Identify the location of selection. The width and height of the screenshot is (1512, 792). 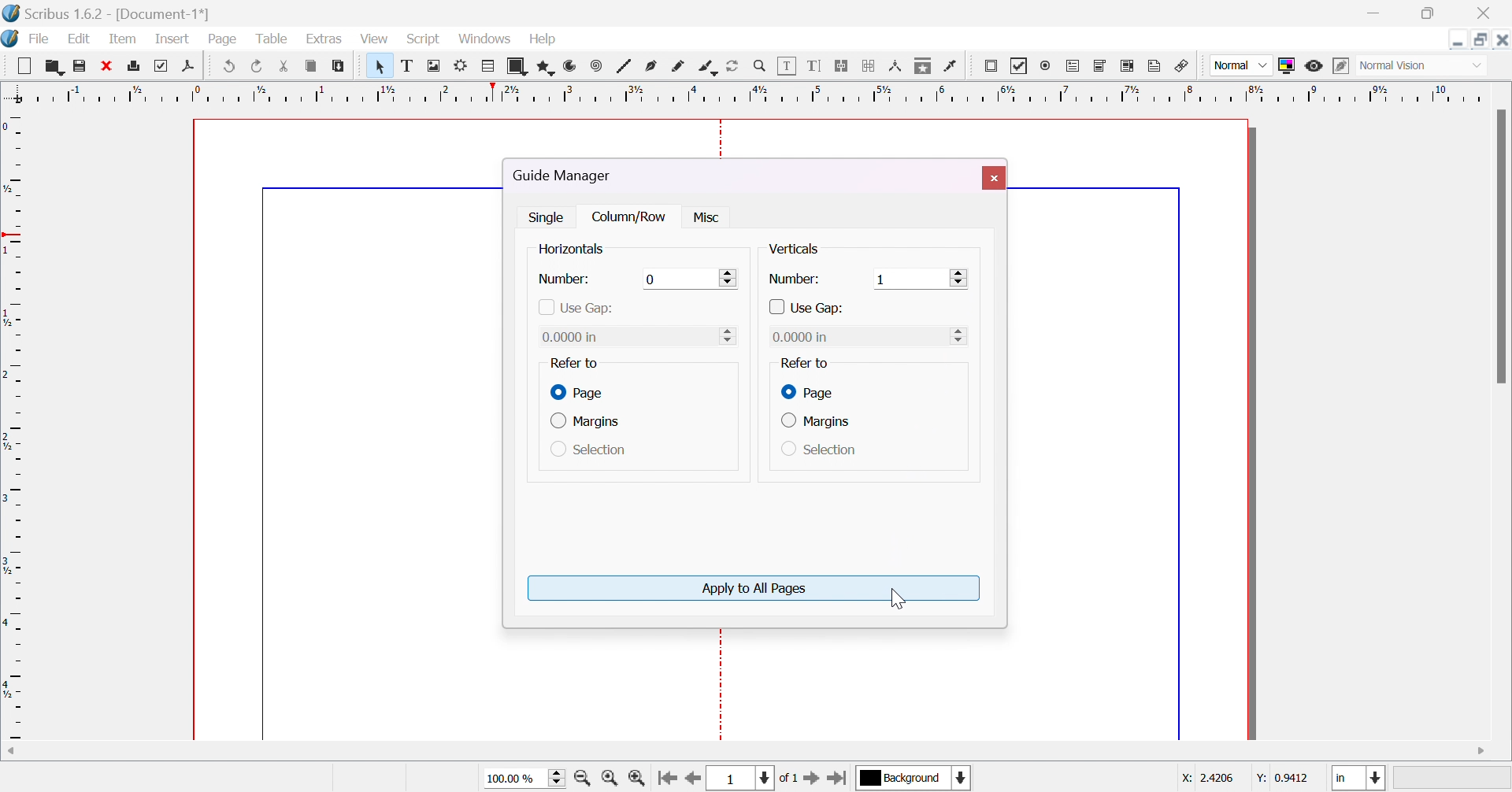
(589, 451).